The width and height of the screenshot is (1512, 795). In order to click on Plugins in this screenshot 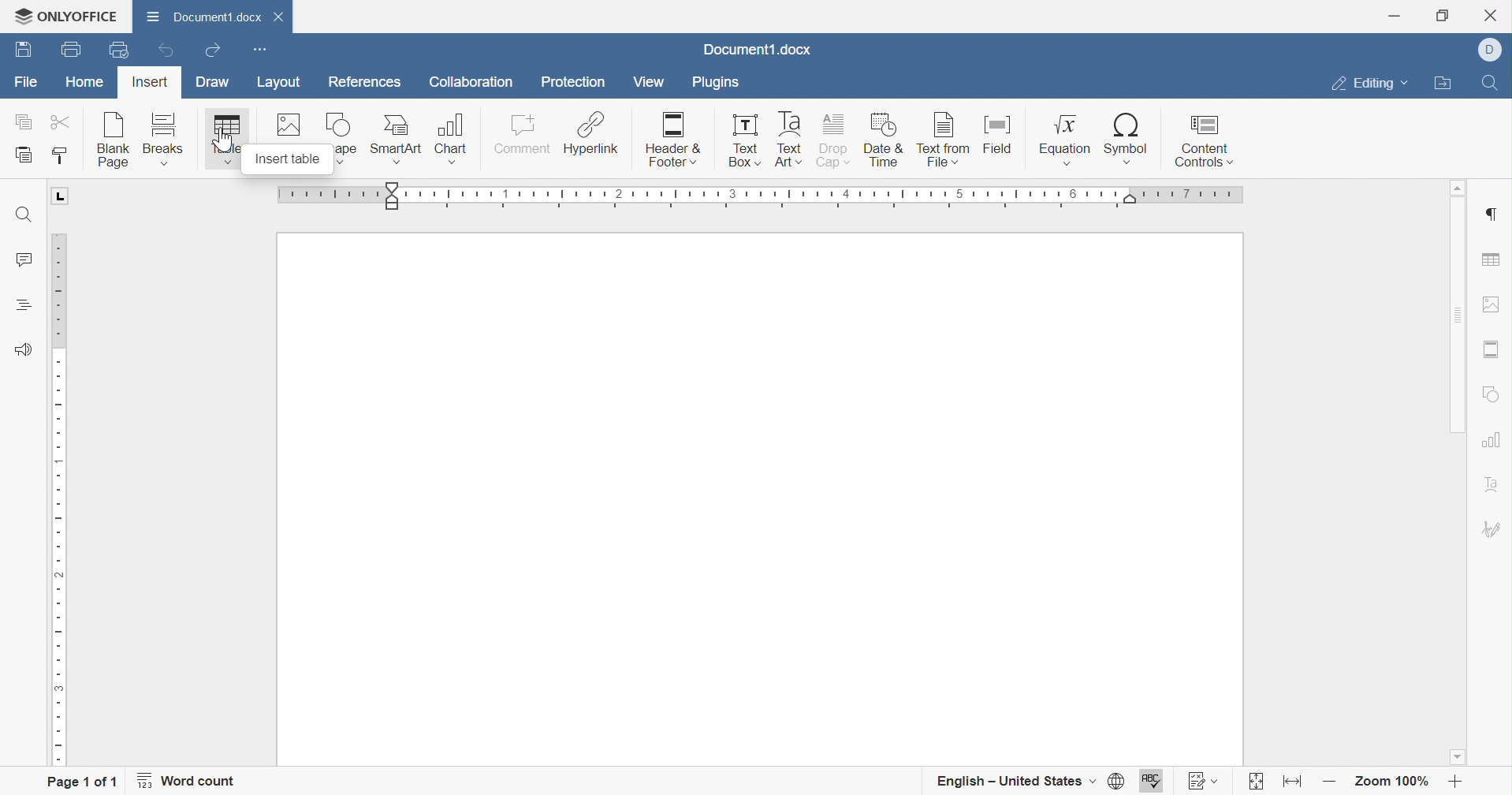, I will do `click(721, 80)`.